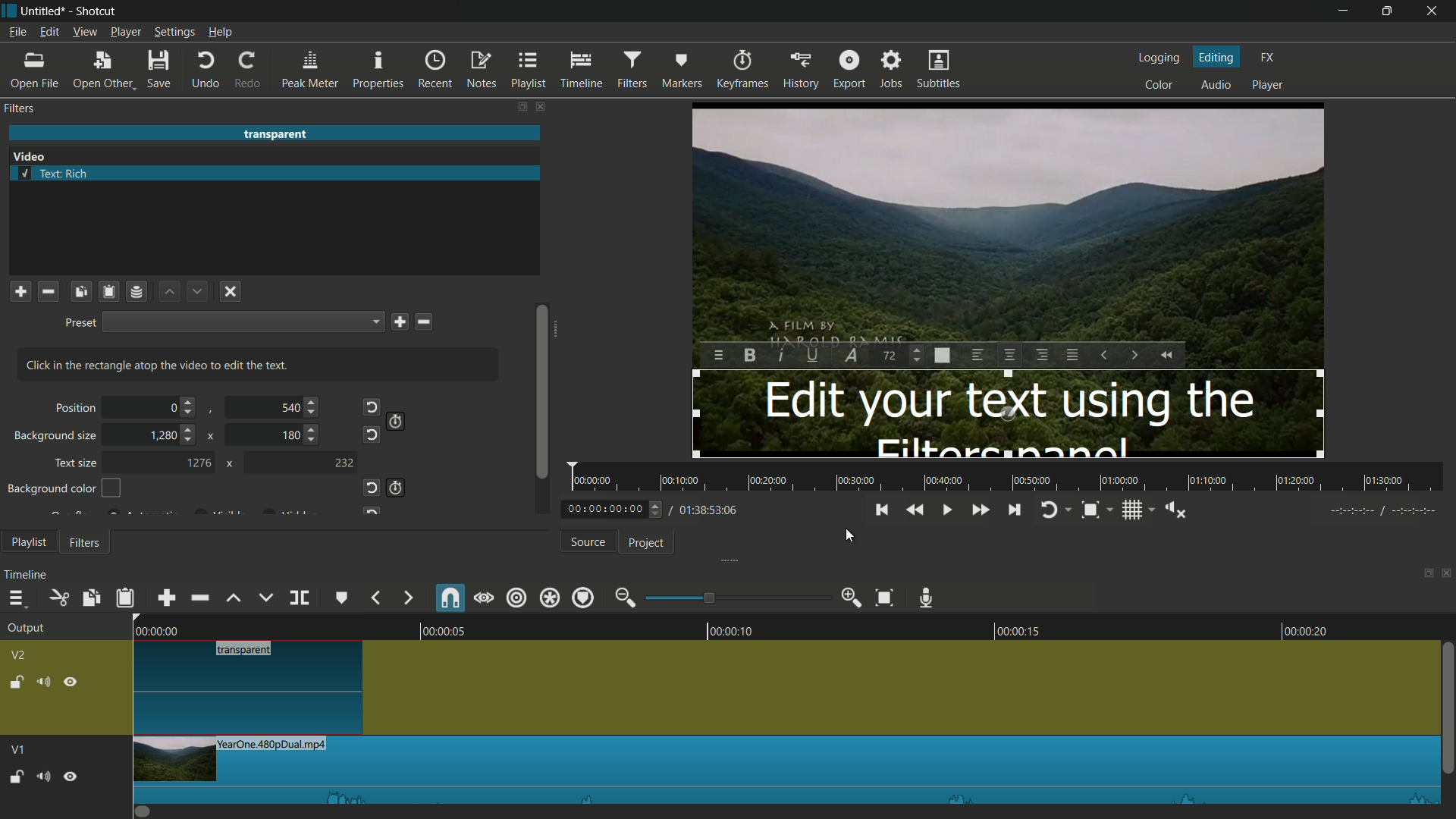  Describe the element at coordinates (815, 355) in the screenshot. I see `underline` at that location.